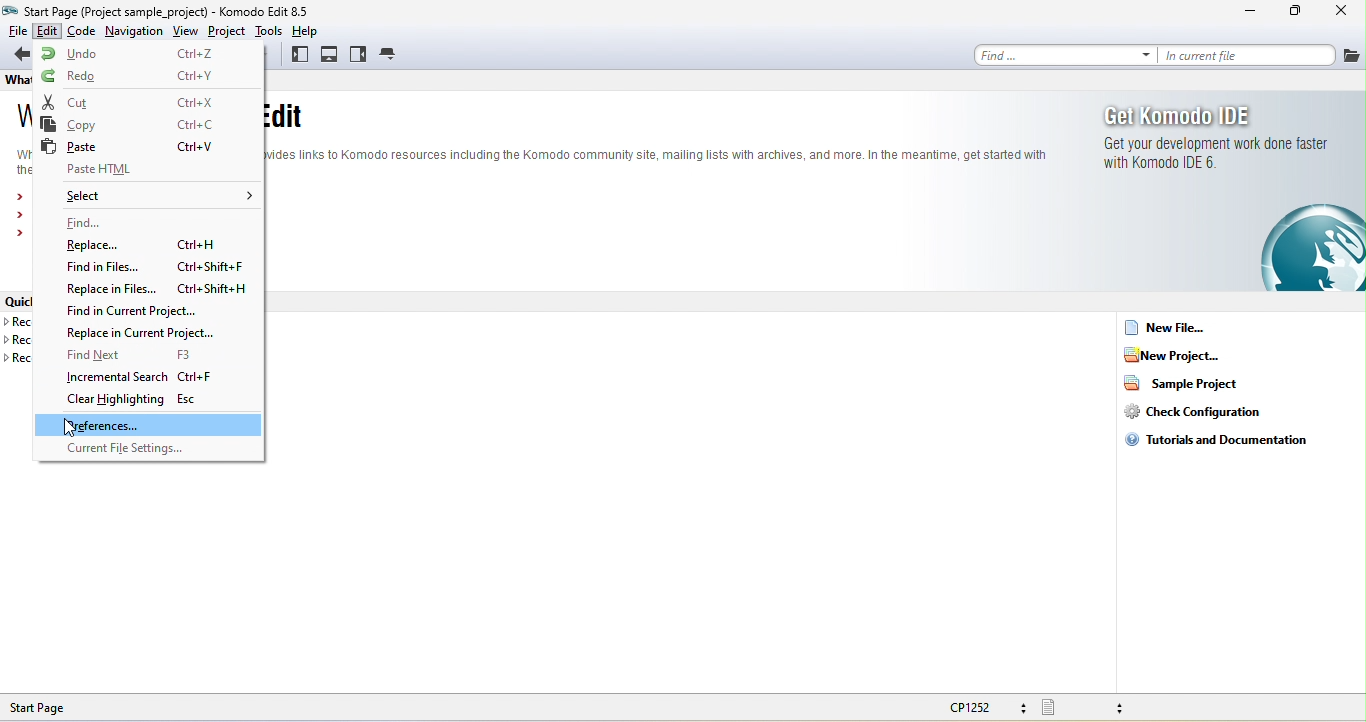  I want to click on incremental search, so click(140, 376).